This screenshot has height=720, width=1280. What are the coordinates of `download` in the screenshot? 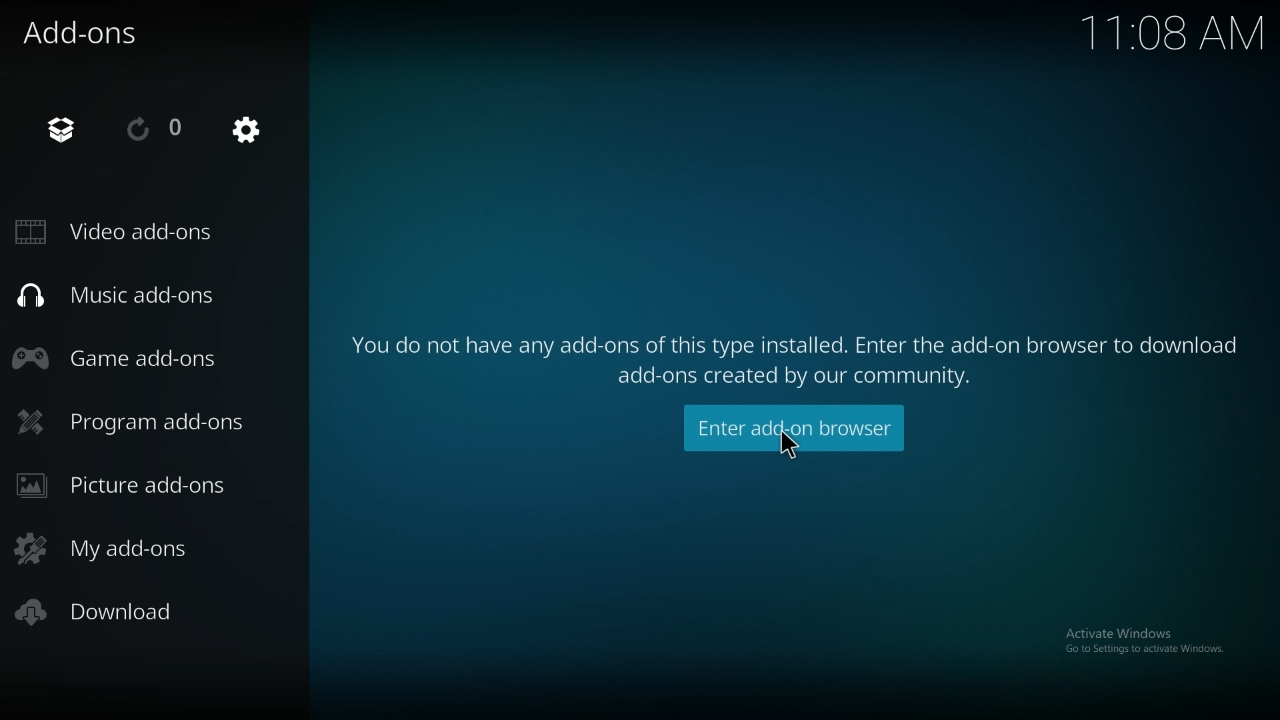 It's located at (105, 613).